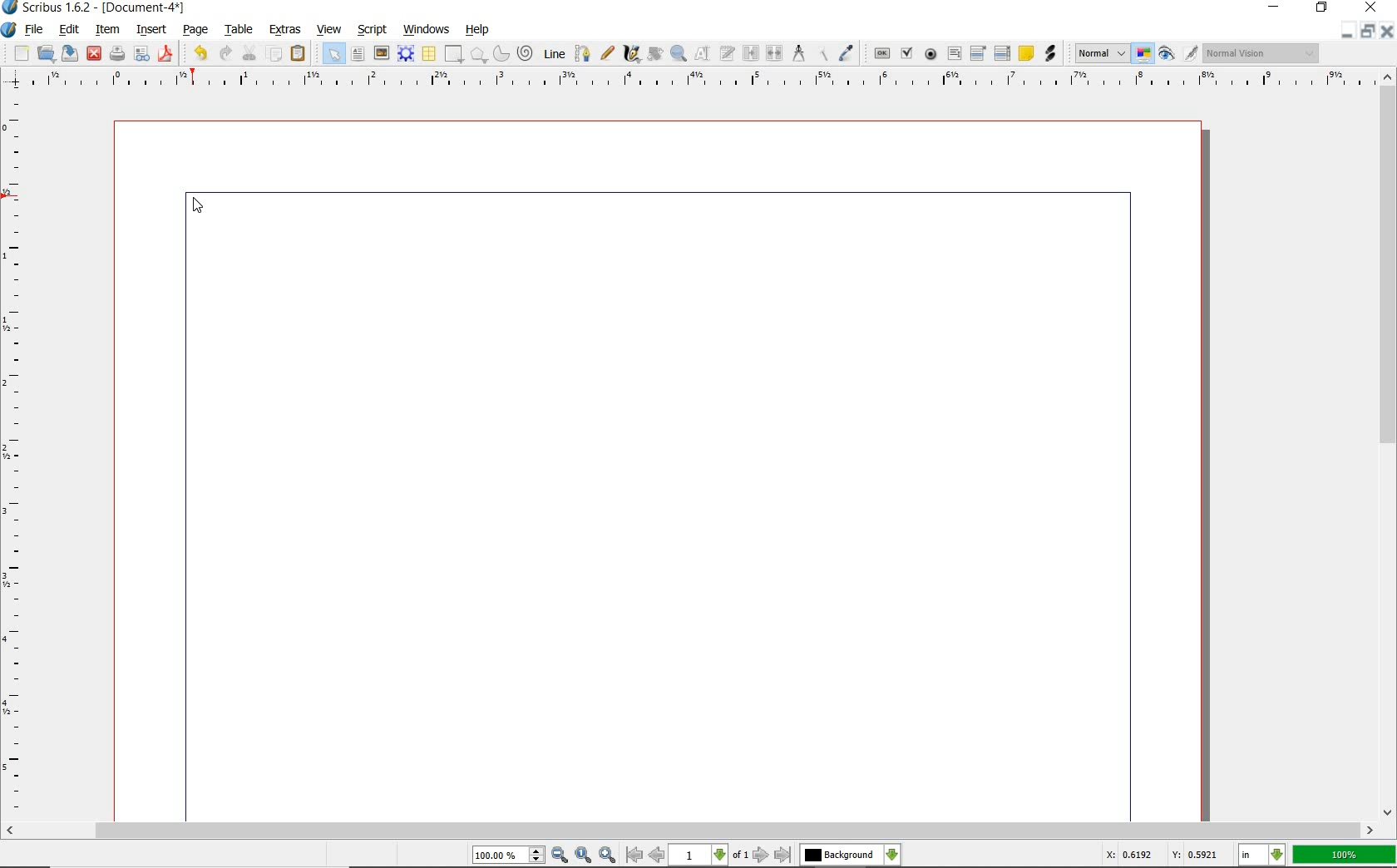 The height and width of the screenshot is (868, 1397). Describe the element at coordinates (906, 52) in the screenshot. I see `pdf check box` at that location.